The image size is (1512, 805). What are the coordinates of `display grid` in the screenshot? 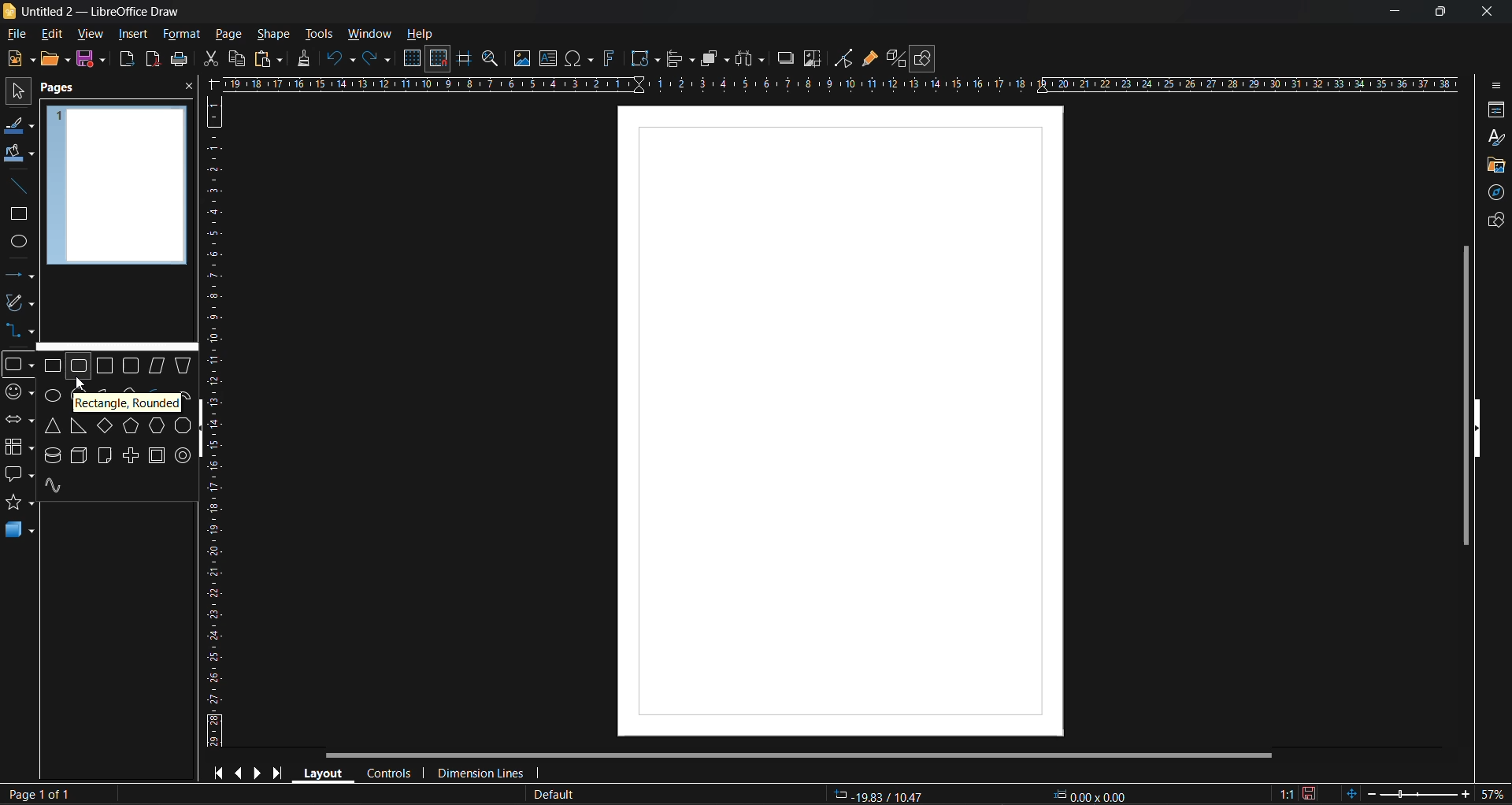 It's located at (414, 59).